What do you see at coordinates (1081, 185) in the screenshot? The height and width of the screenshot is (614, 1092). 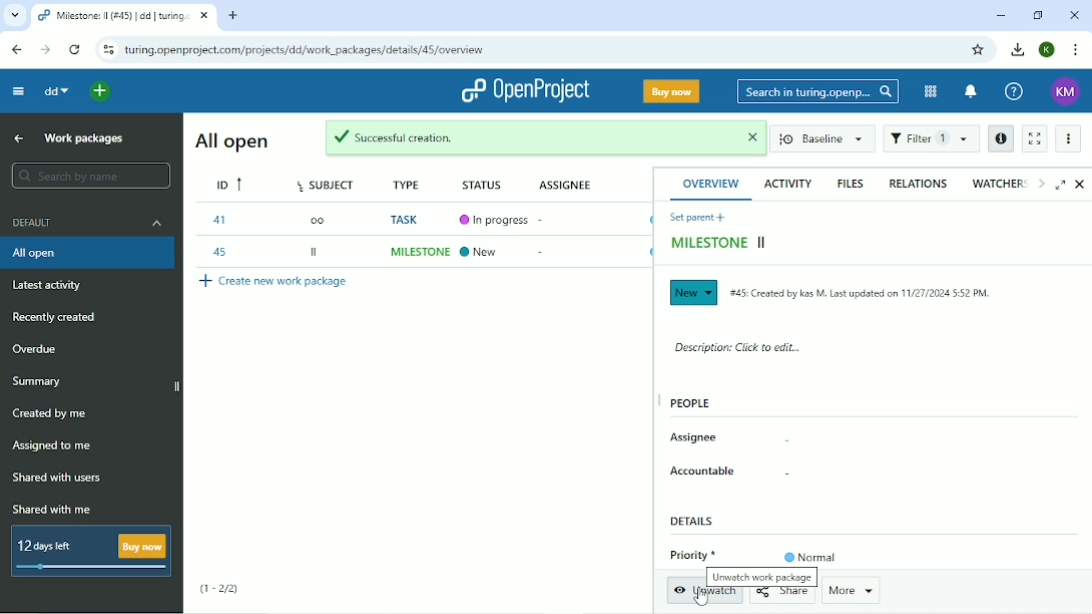 I see `Close` at bounding box center [1081, 185].